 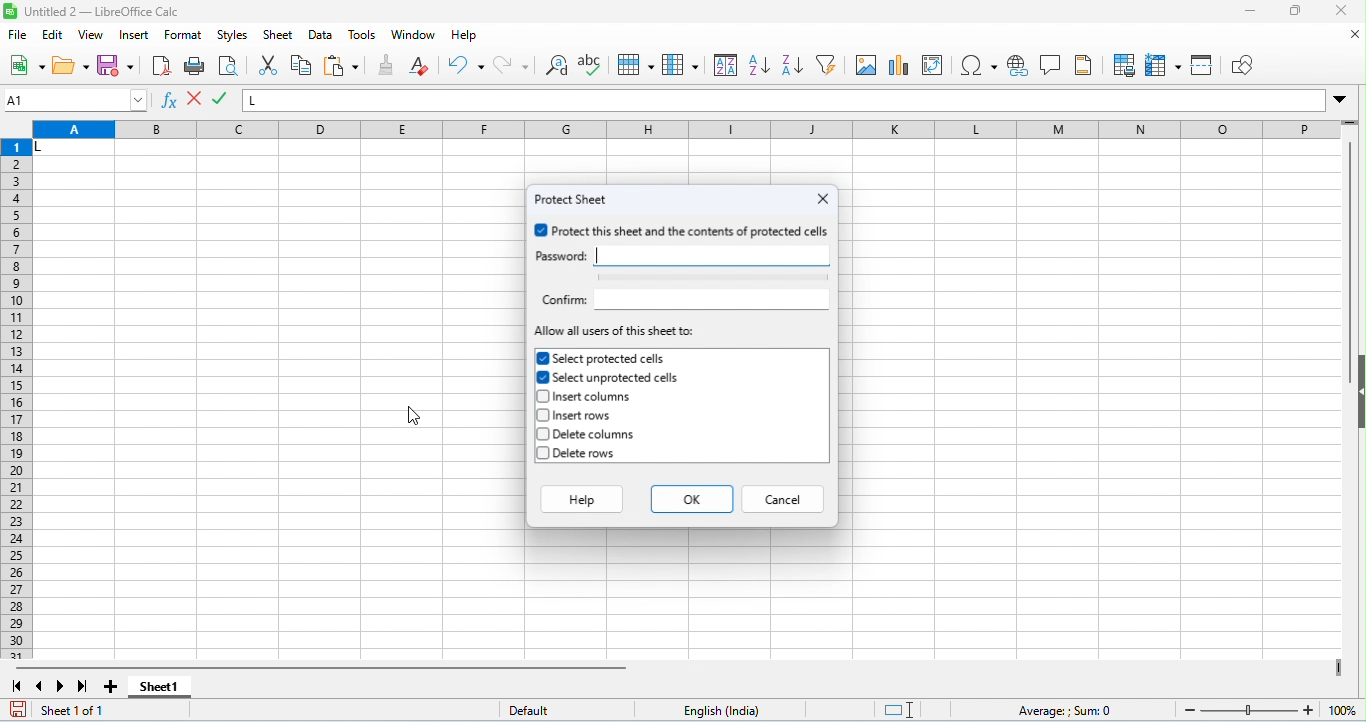 I want to click on cell with data, so click(x=73, y=149).